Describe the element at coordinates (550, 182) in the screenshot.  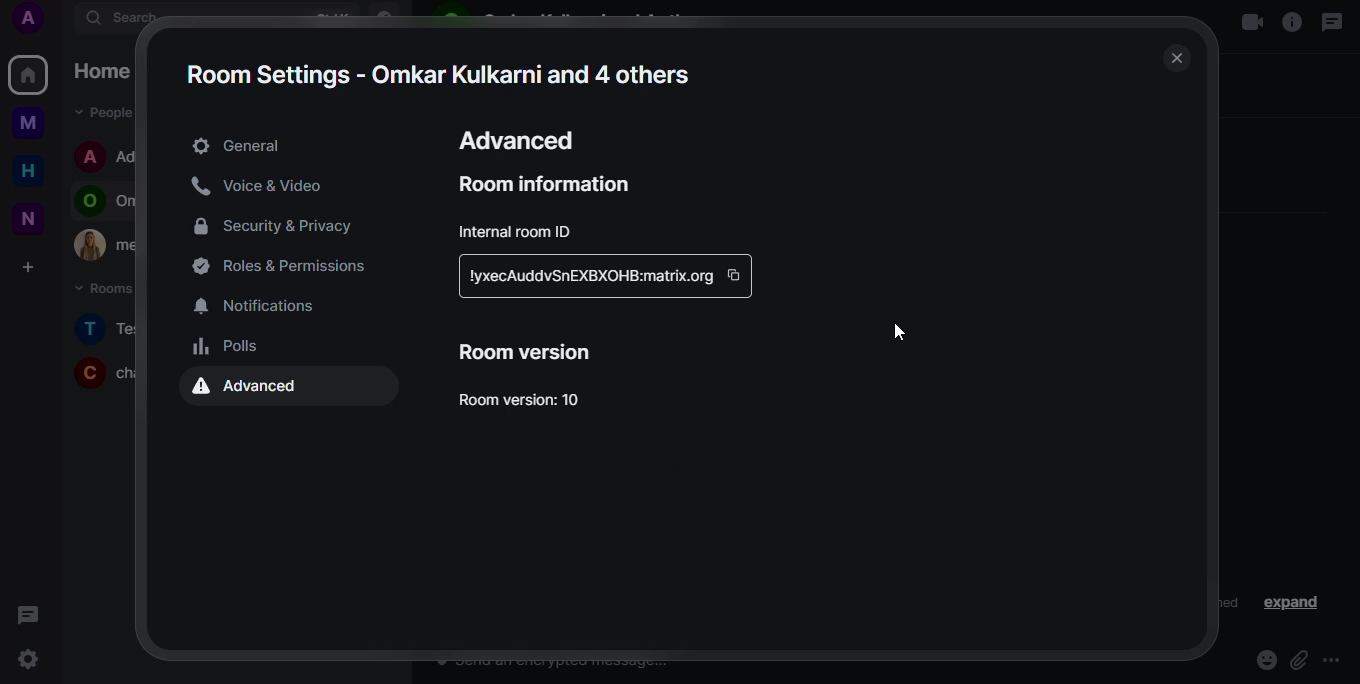
I see `room information` at that location.